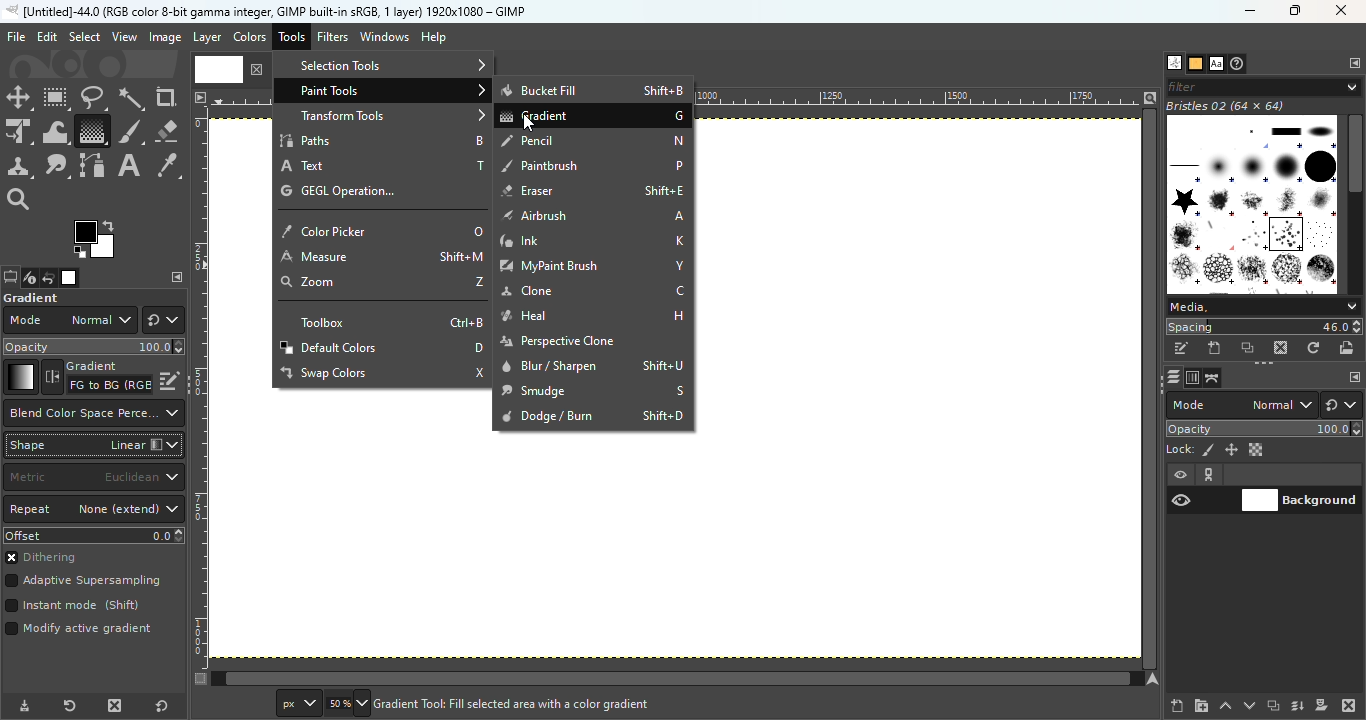  I want to click on Swap colors, so click(380, 374).